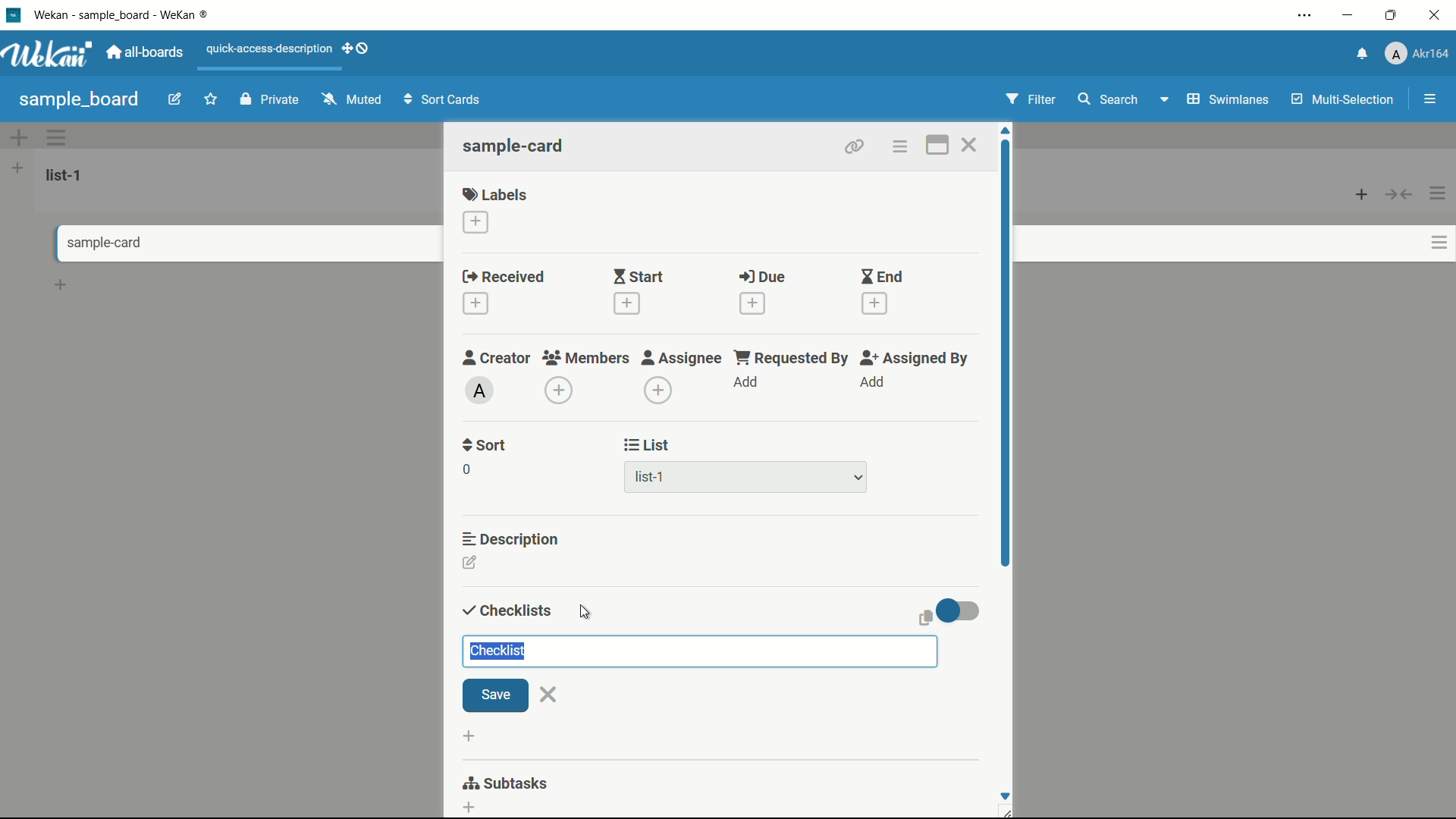  Describe the element at coordinates (1307, 17) in the screenshot. I see `settings and more` at that location.